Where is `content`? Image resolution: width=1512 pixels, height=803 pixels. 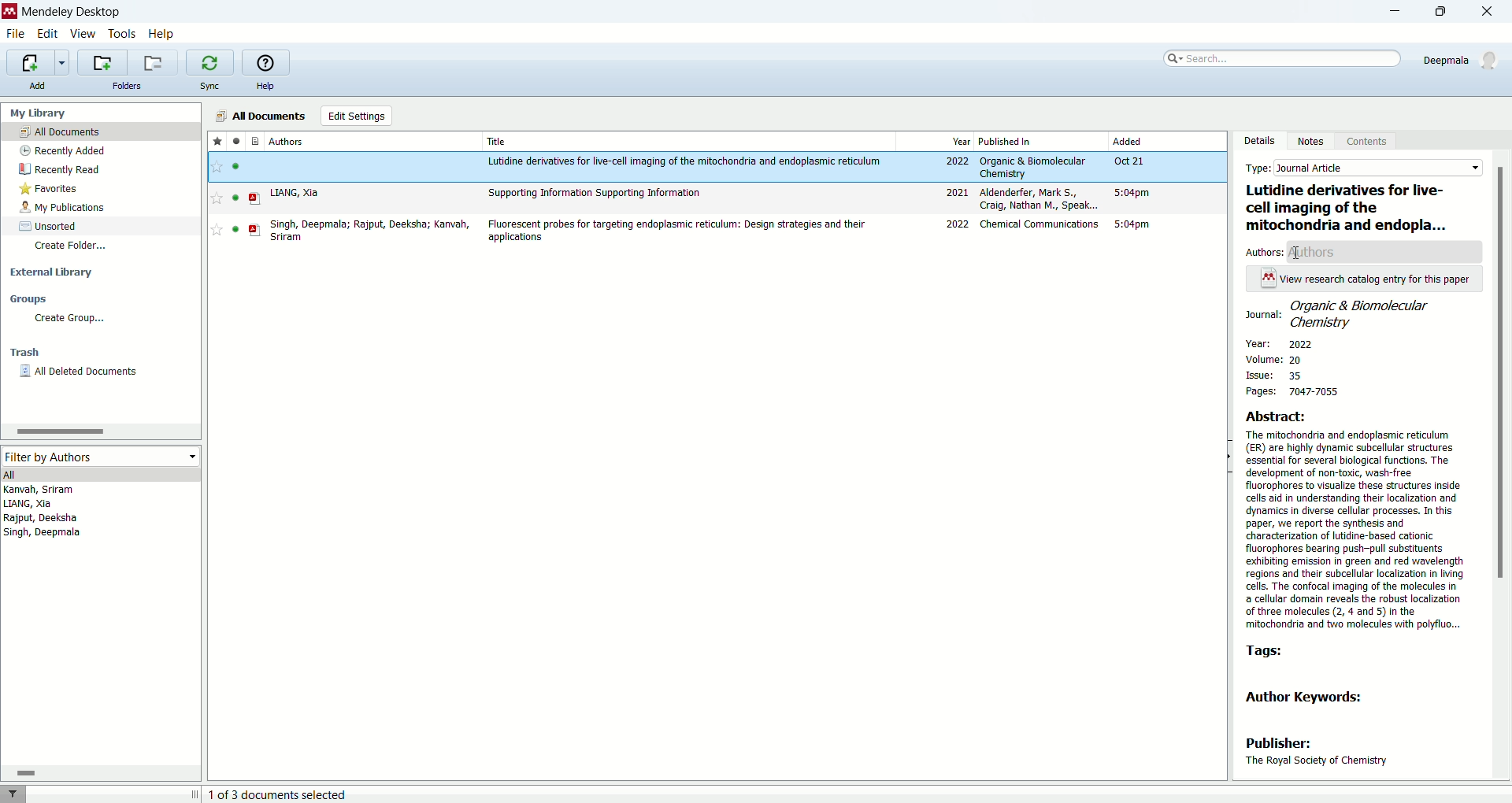 content is located at coordinates (1364, 142).